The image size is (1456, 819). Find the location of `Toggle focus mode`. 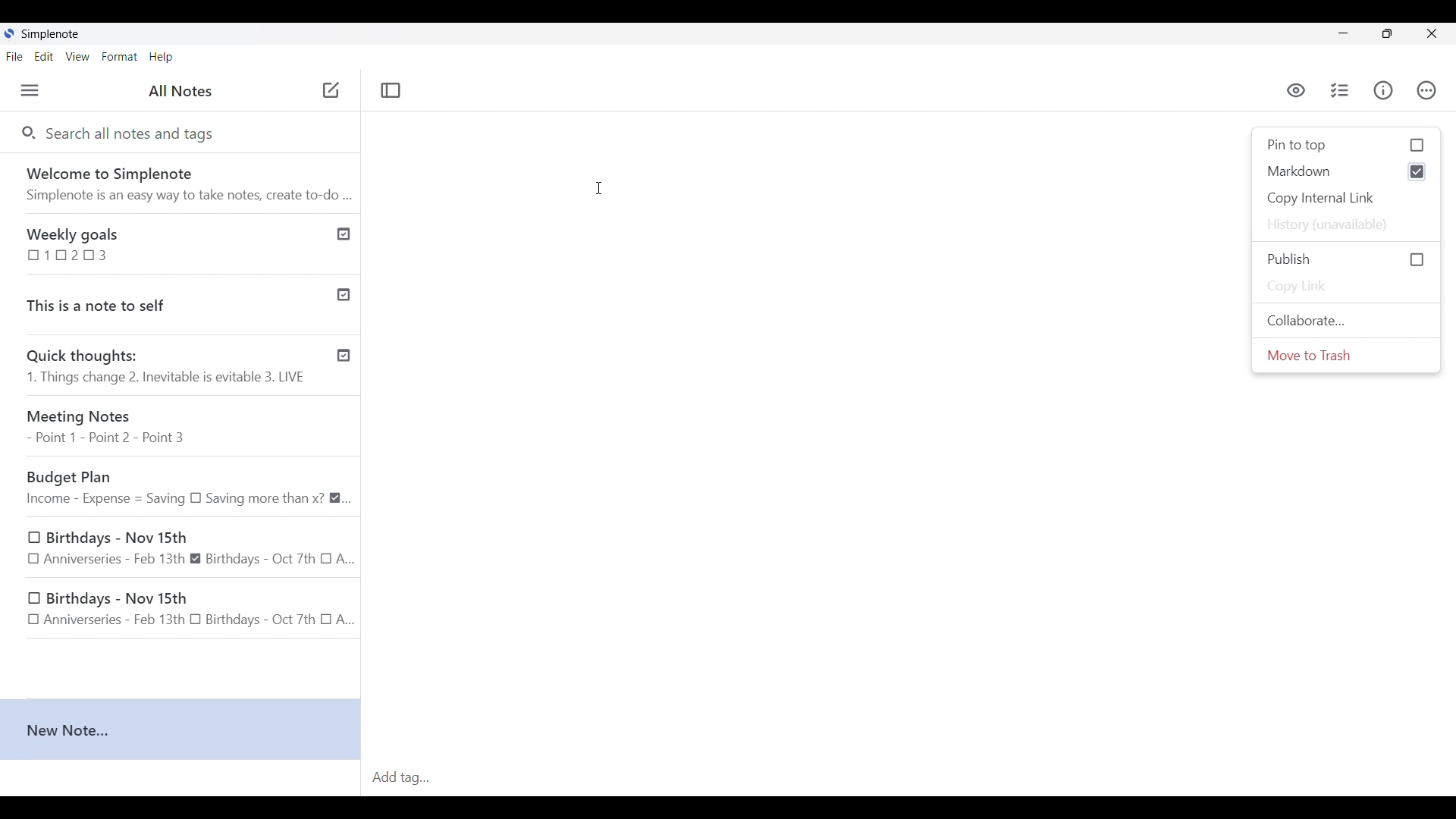

Toggle focus mode is located at coordinates (392, 91).